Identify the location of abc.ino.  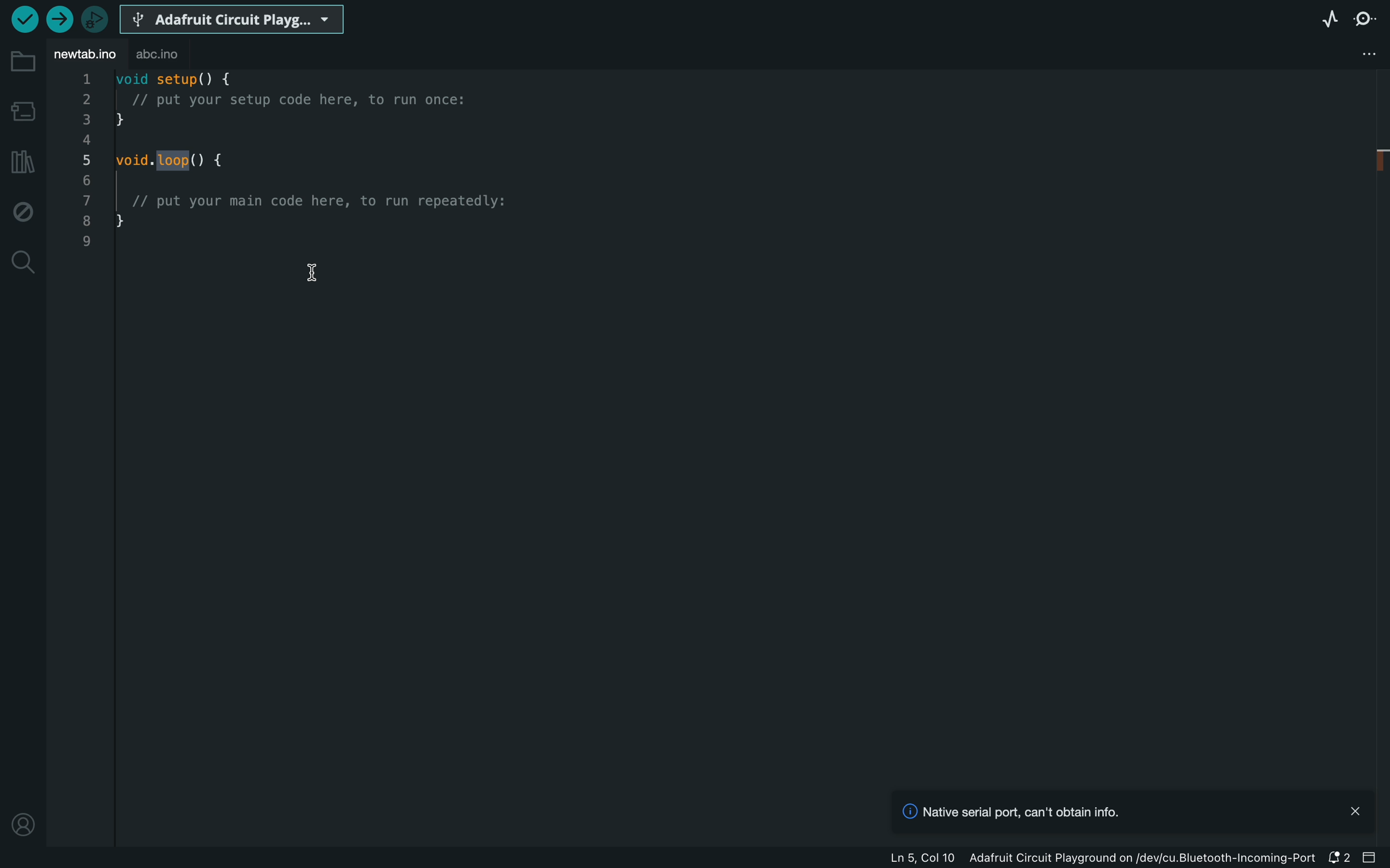
(156, 54).